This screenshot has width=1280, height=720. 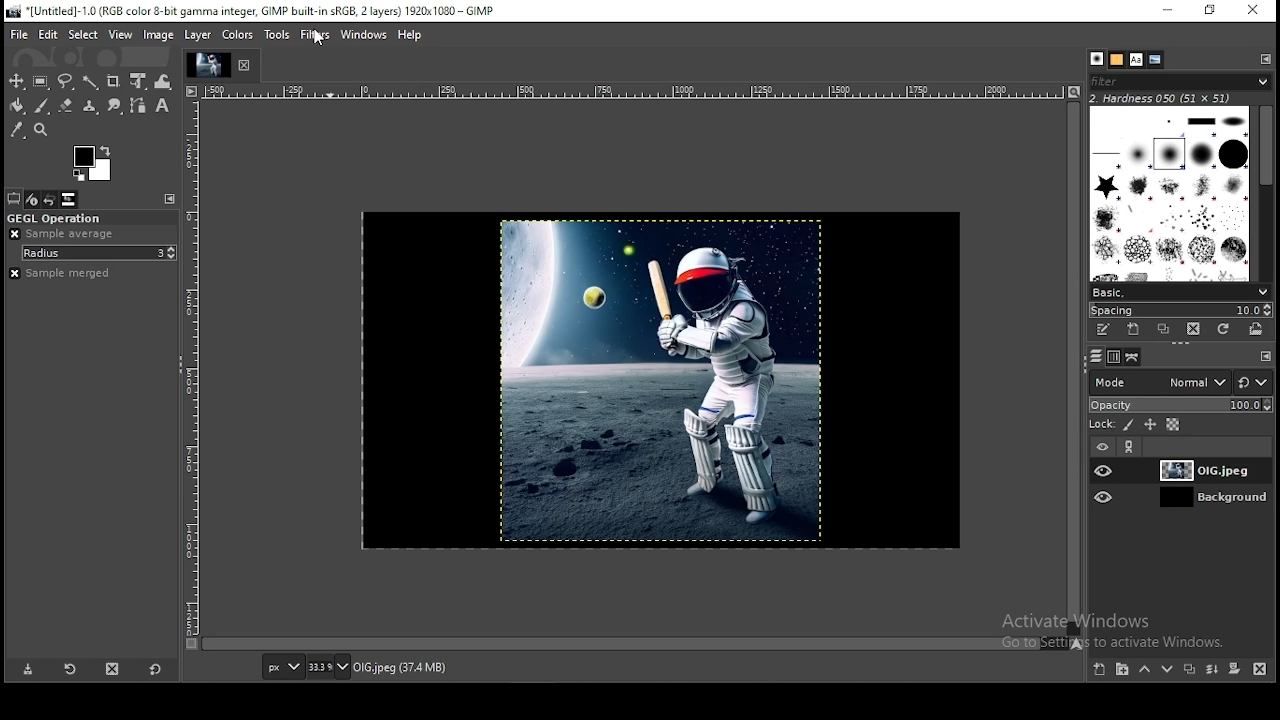 I want to click on zoom tool, so click(x=41, y=130).